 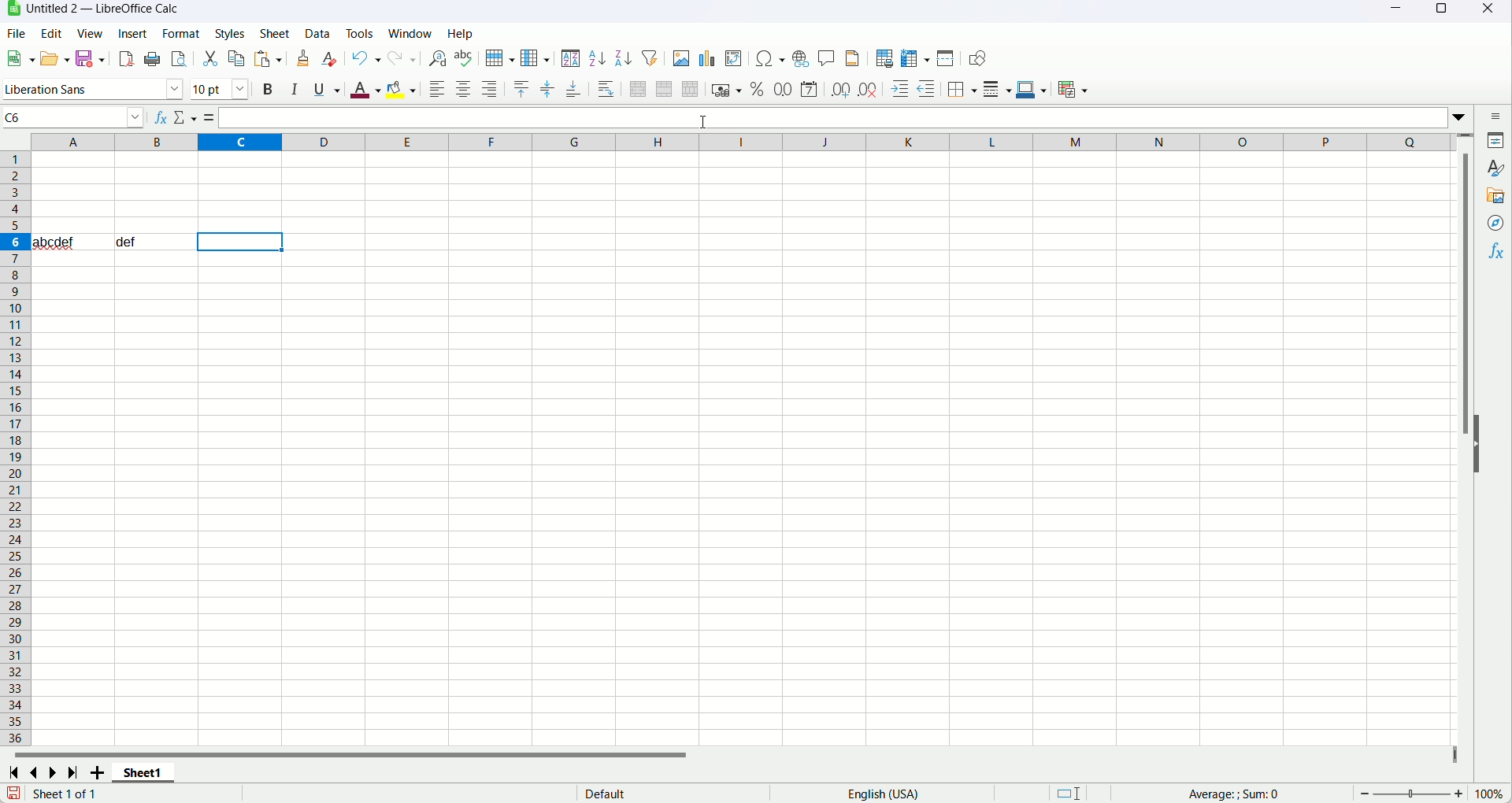 I want to click on print preview, so click(x=180, y=58).